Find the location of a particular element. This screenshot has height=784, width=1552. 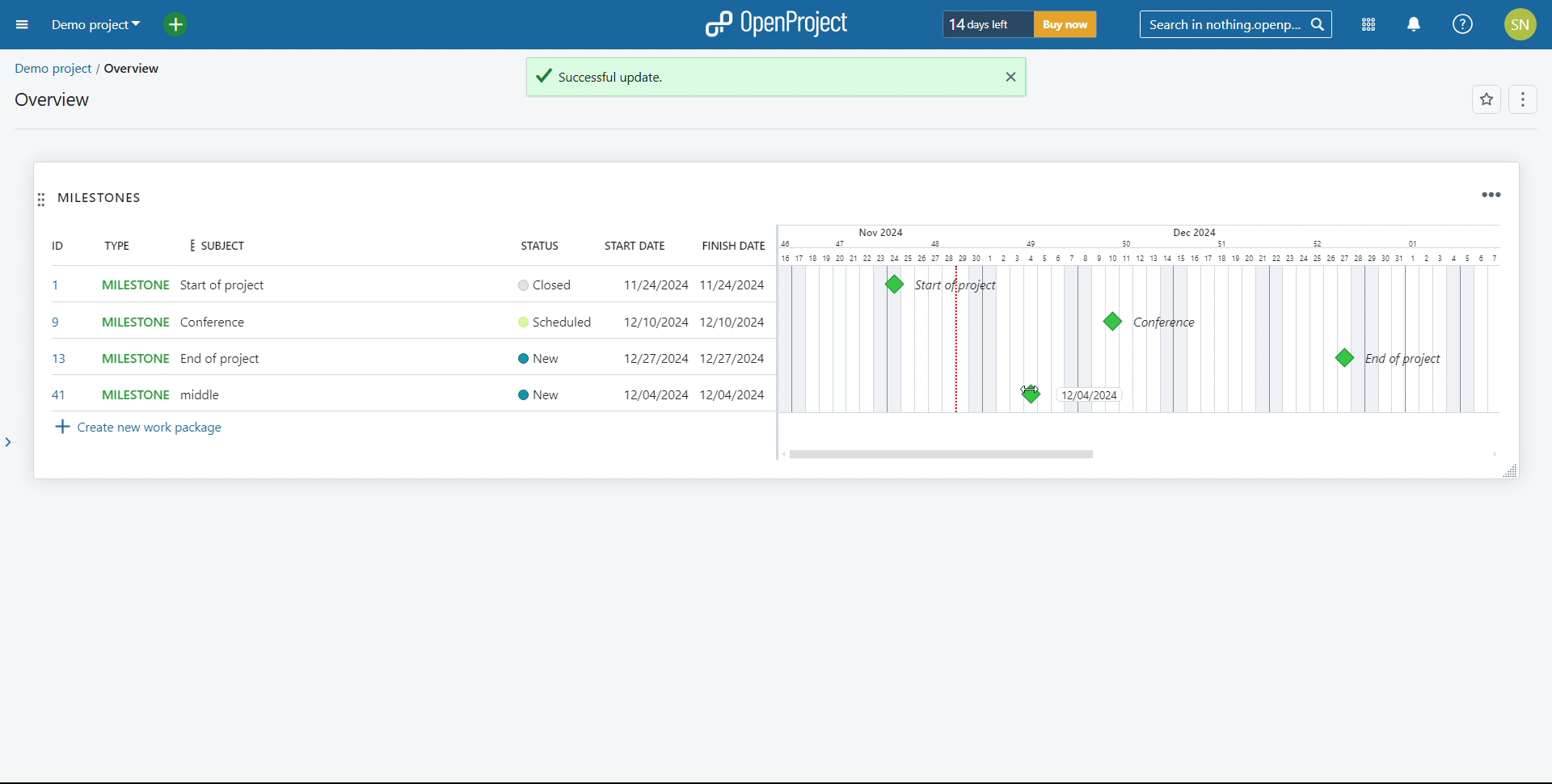

id is located at coordinates (57, 245).